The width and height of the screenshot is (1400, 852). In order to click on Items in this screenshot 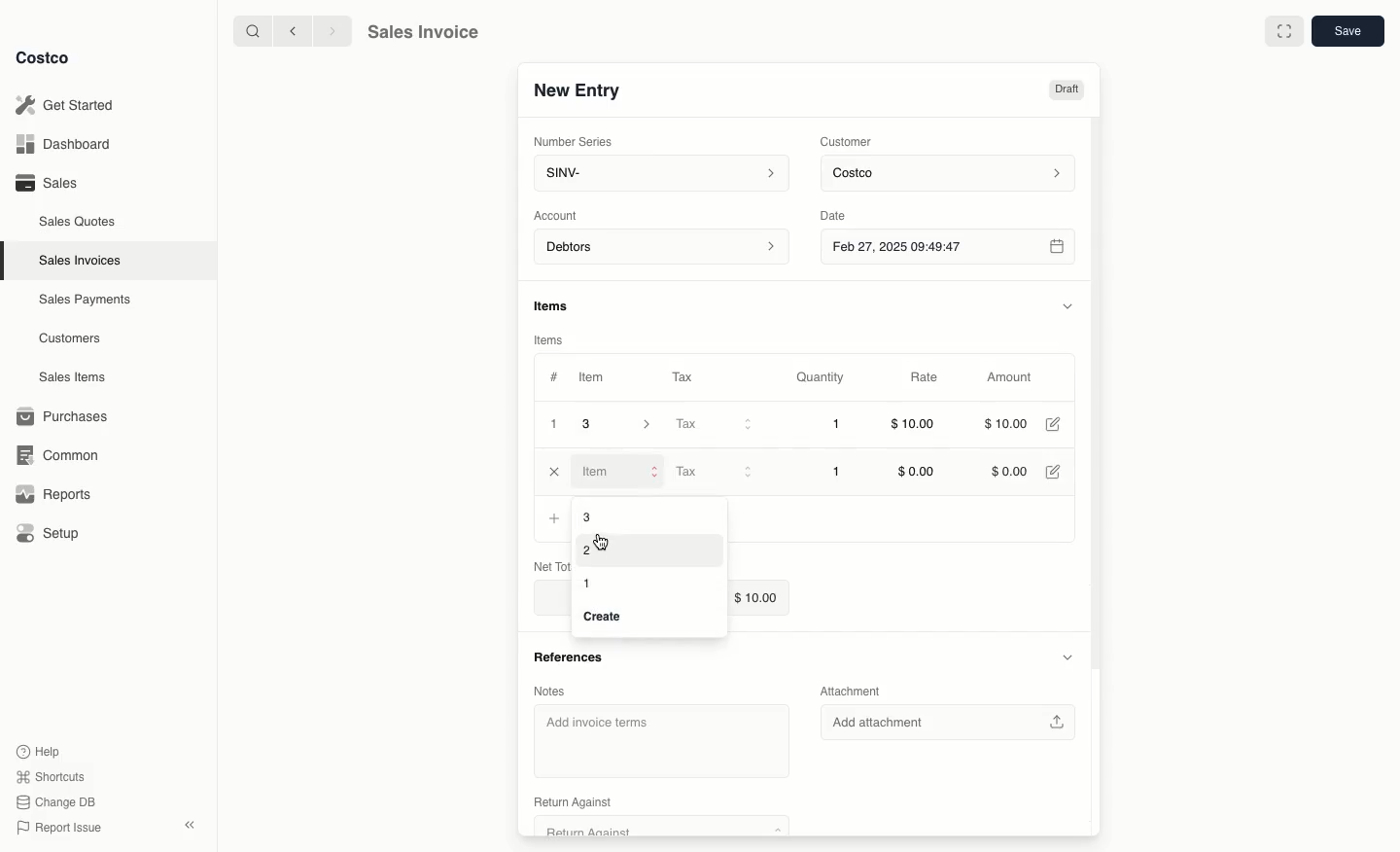, I will do `click(560, 307)`.